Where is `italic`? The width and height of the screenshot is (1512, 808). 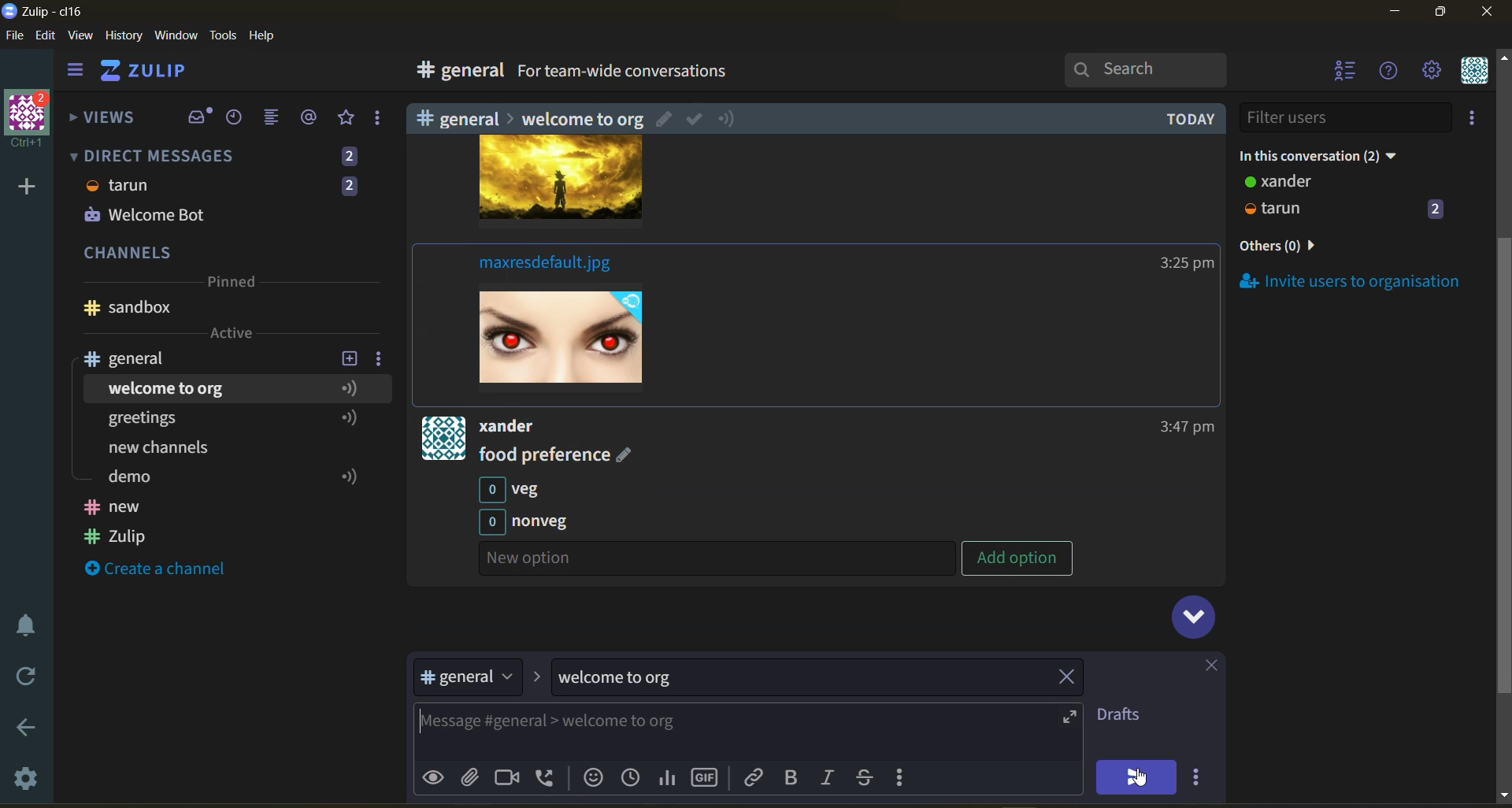 italic is located at coordinates (831, 779).